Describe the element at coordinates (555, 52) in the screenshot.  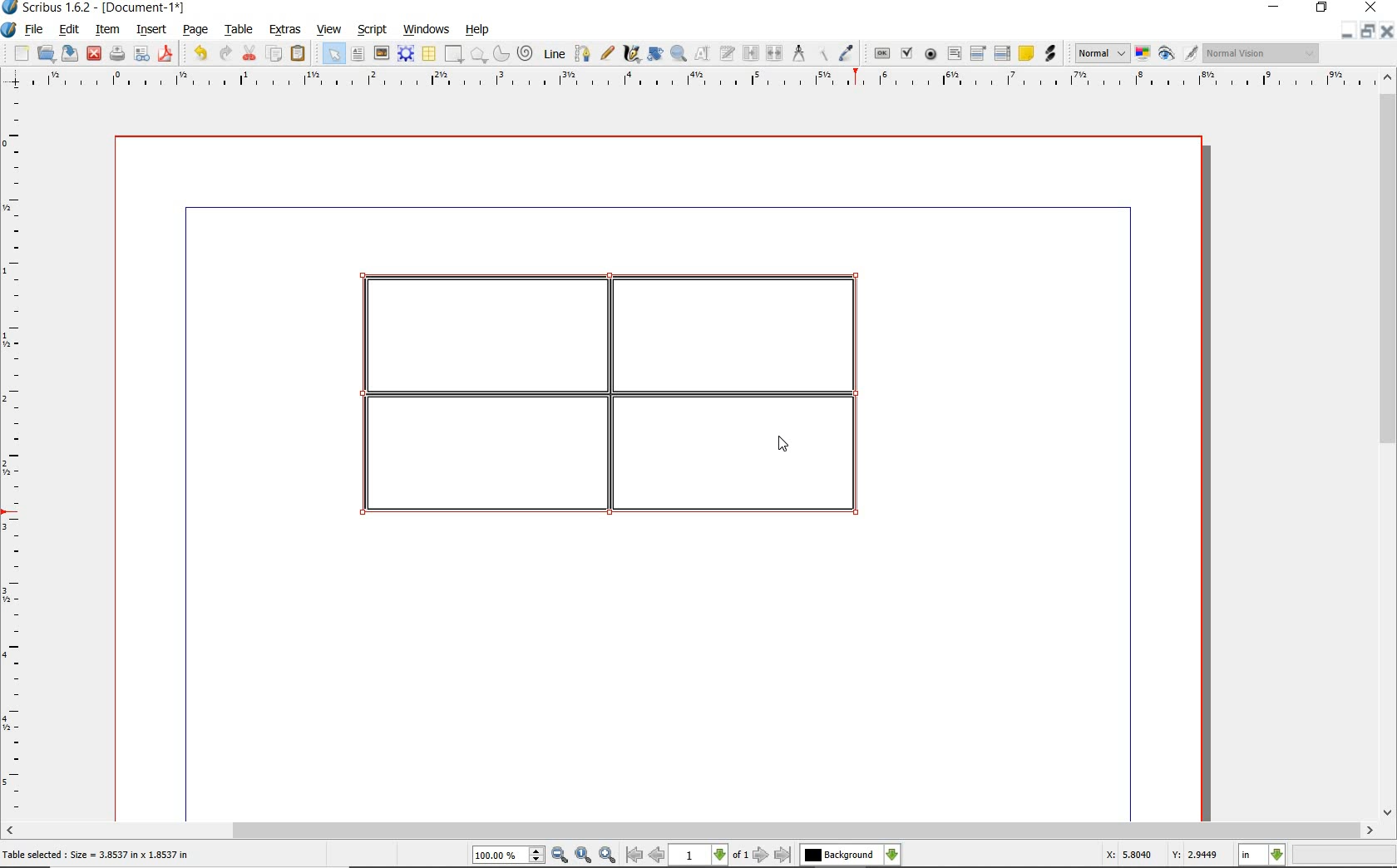
I see `line` at that location.